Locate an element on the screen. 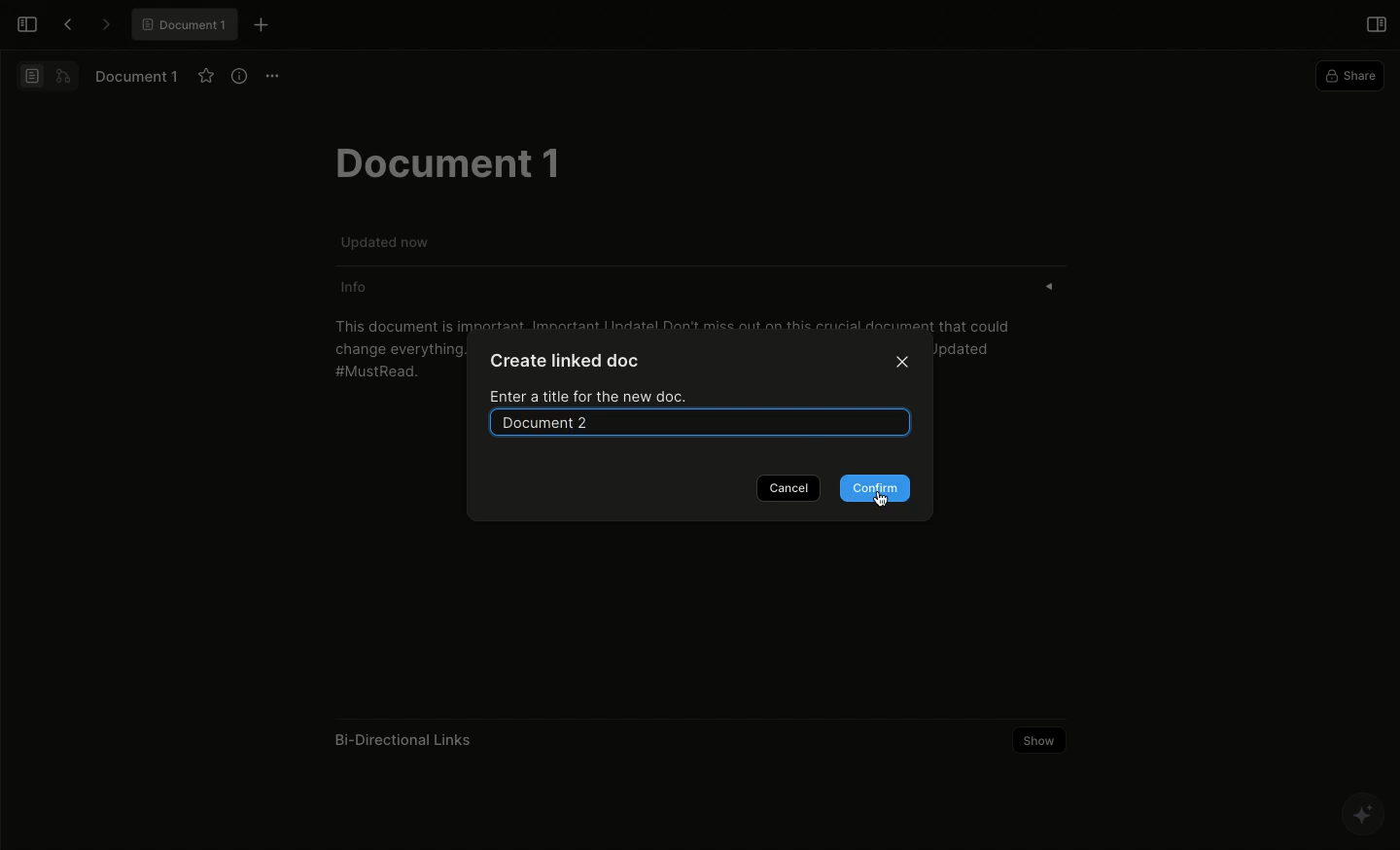 This screenshot has height=850, width=1400. AFFINE AI is located at coordinates (1360, 815).